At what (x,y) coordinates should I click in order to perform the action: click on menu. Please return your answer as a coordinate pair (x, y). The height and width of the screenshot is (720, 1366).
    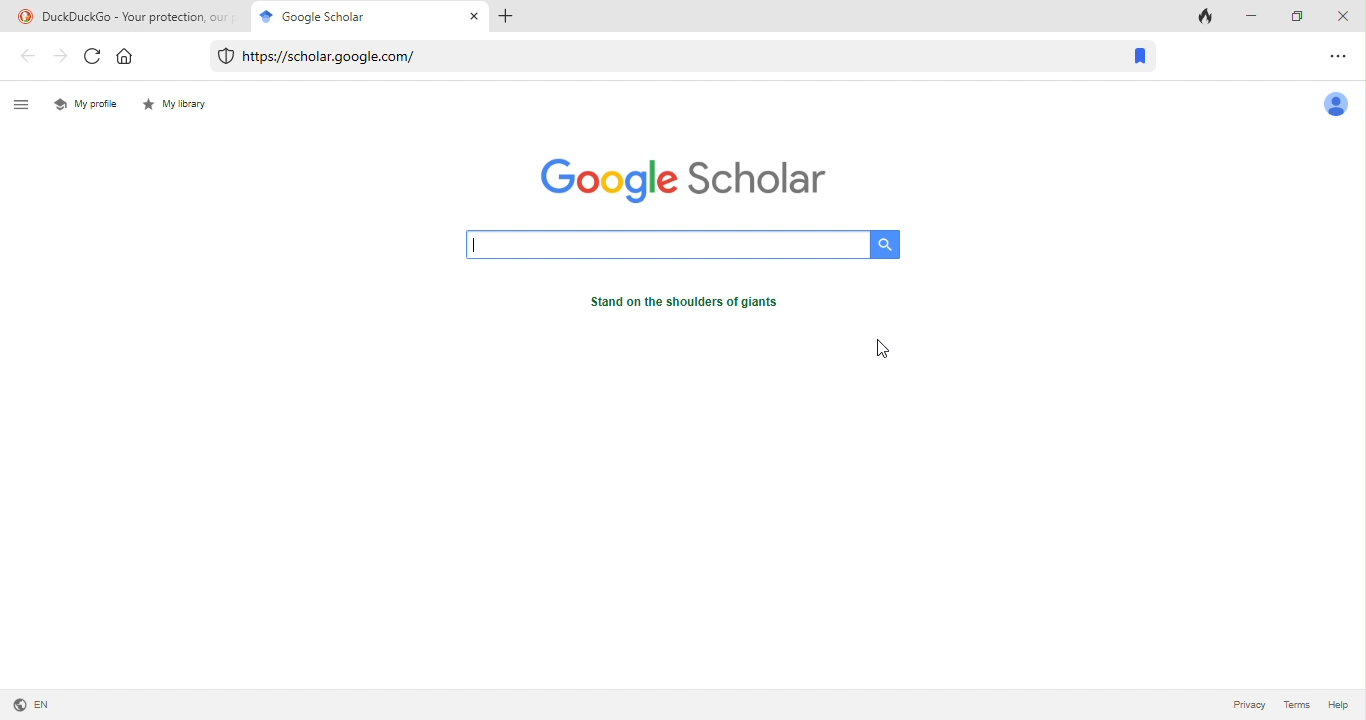
    Looking at the image, I should click on (25, 104).